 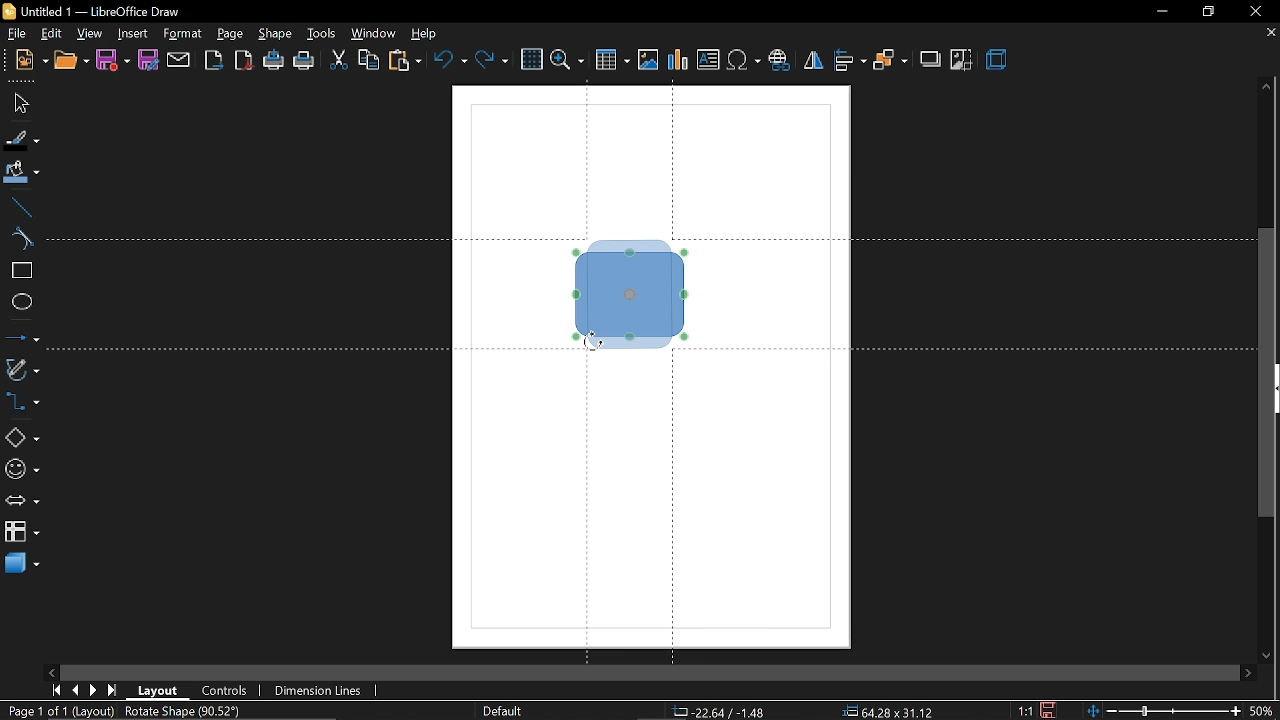 I want to click on help, so click(x=426, y=35).